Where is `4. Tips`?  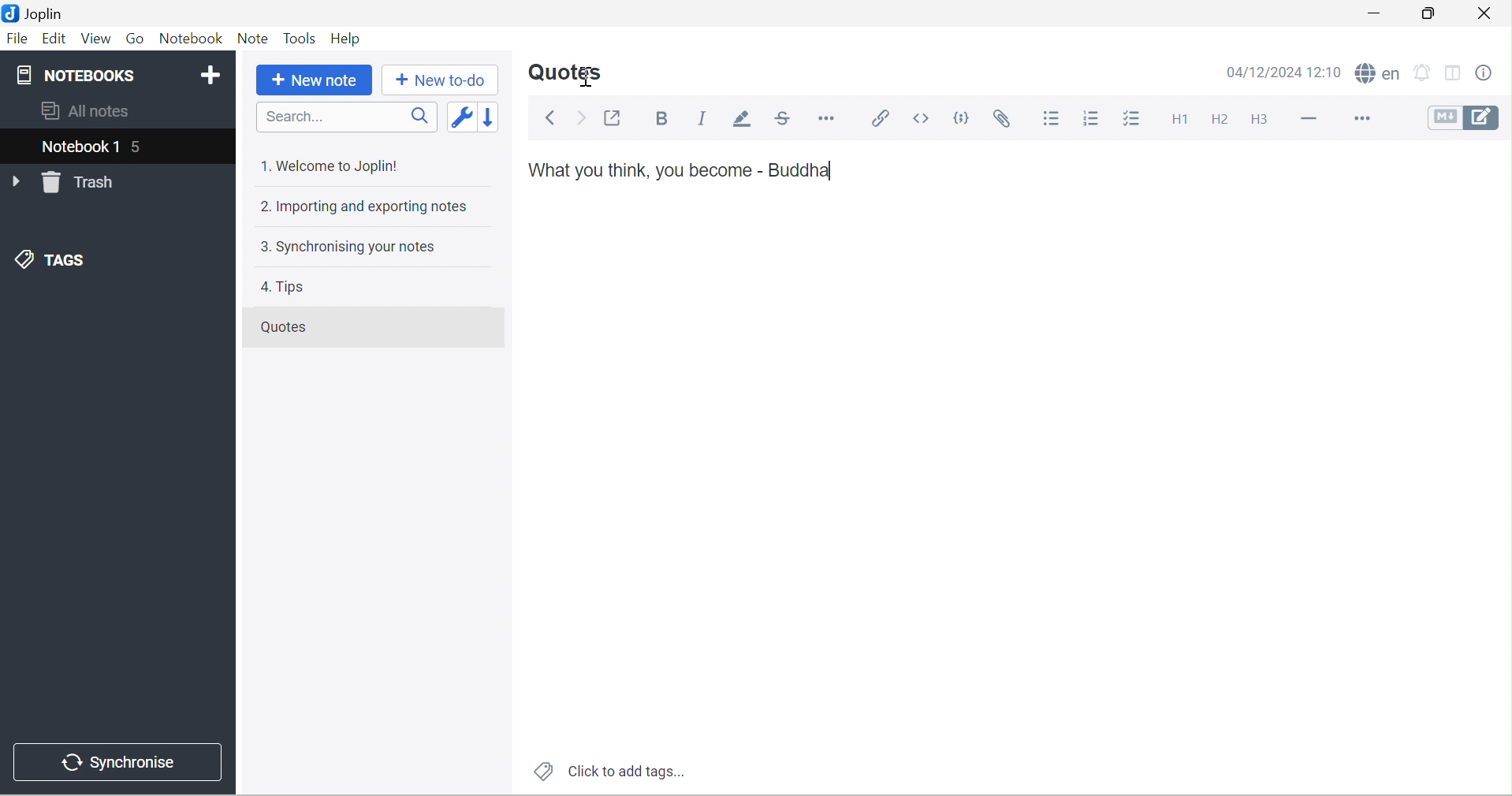
4. Tips is located at coordinates (284, 287).